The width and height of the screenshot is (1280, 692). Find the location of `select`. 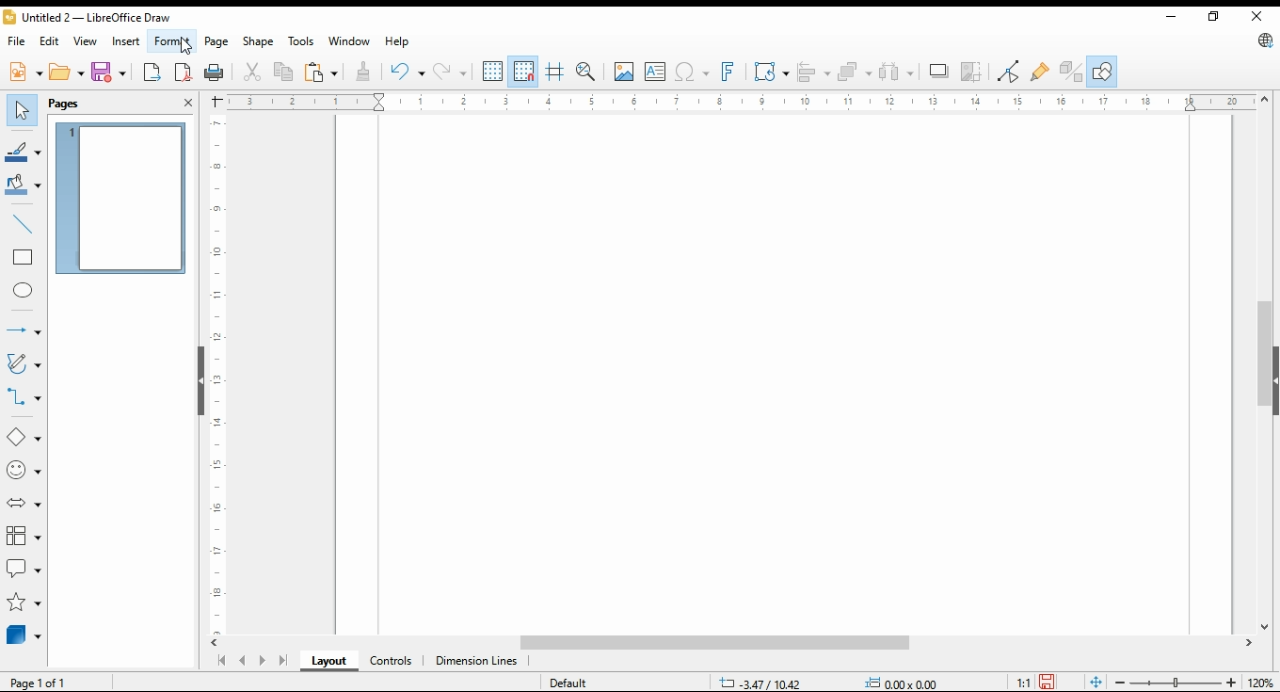

select is located at coordinates (22, 110).